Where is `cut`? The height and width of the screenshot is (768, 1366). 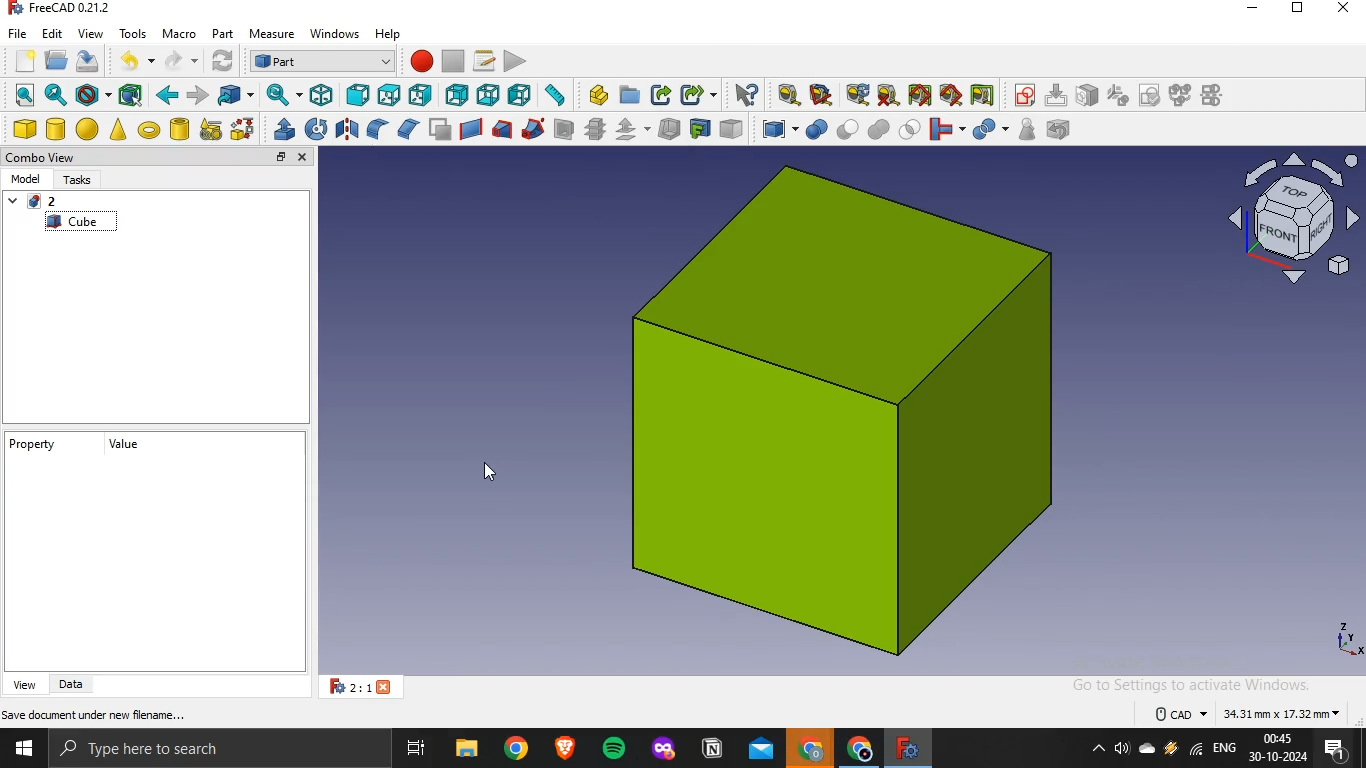 cut is located at coordinates (847, 129).